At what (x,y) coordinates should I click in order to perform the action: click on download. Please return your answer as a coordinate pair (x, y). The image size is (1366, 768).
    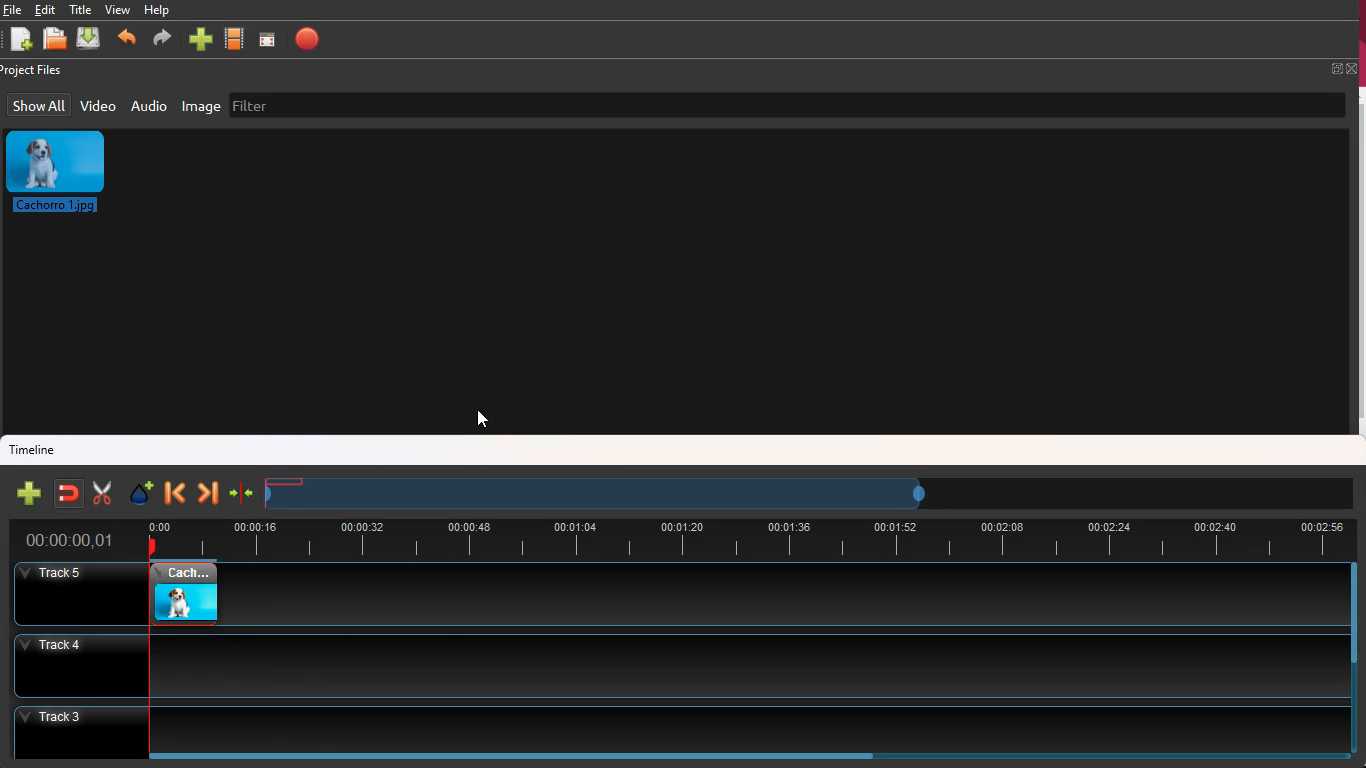
    Looking at the image, I should click on (90, 37).